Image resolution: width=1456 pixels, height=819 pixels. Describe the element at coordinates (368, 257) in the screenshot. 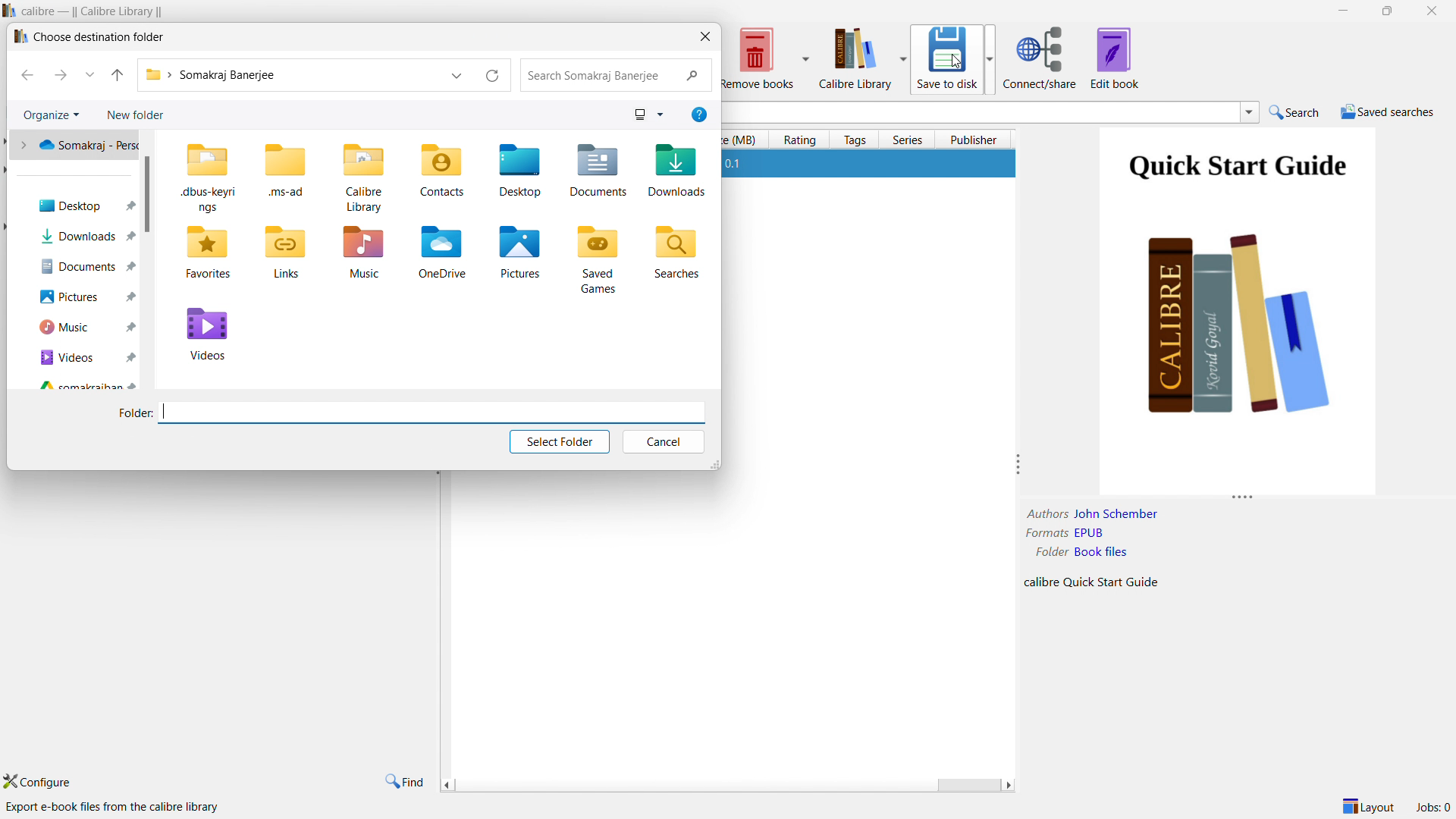

I see `Music` at that location.